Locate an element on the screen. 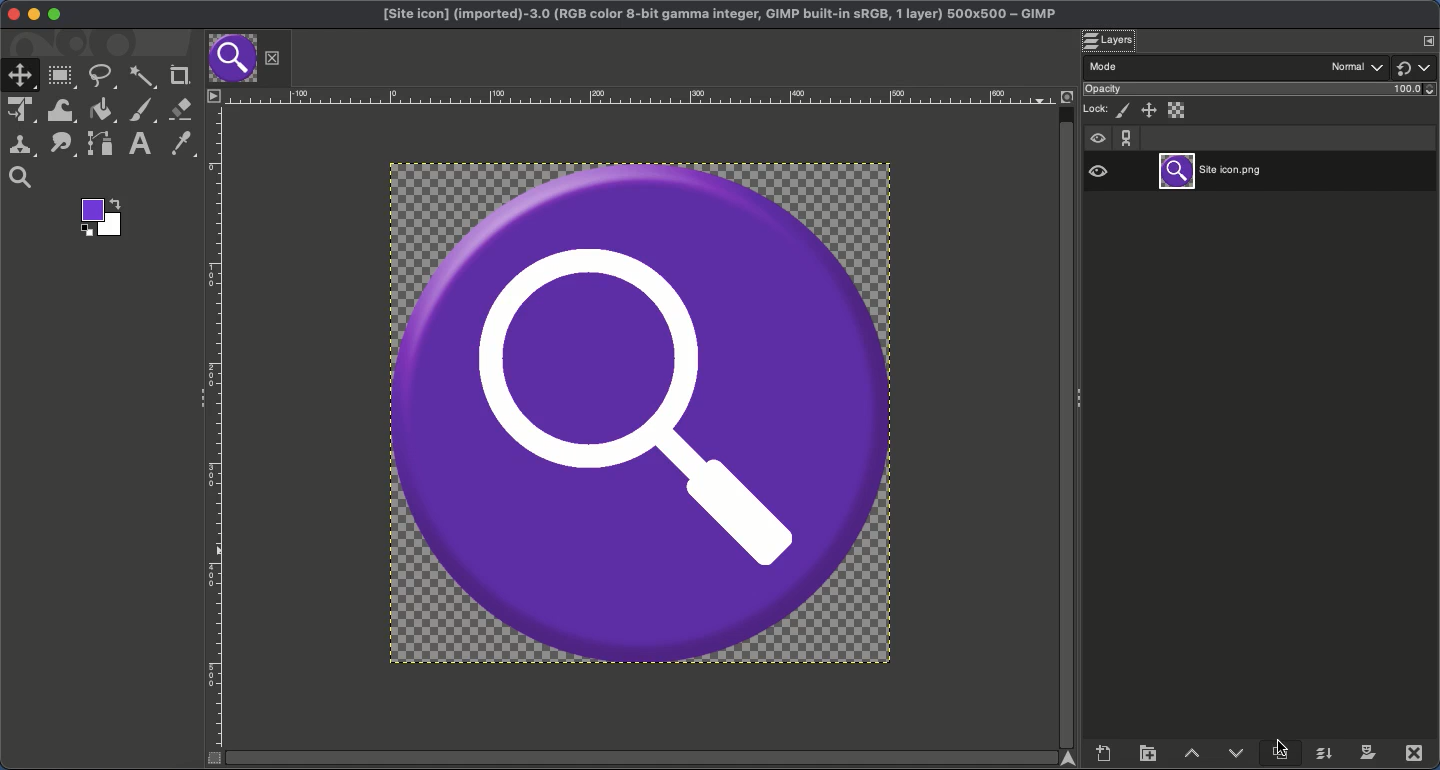 The width and height of the screenshot is (1440, 770). Ruler is located at coordinates (643, 95).